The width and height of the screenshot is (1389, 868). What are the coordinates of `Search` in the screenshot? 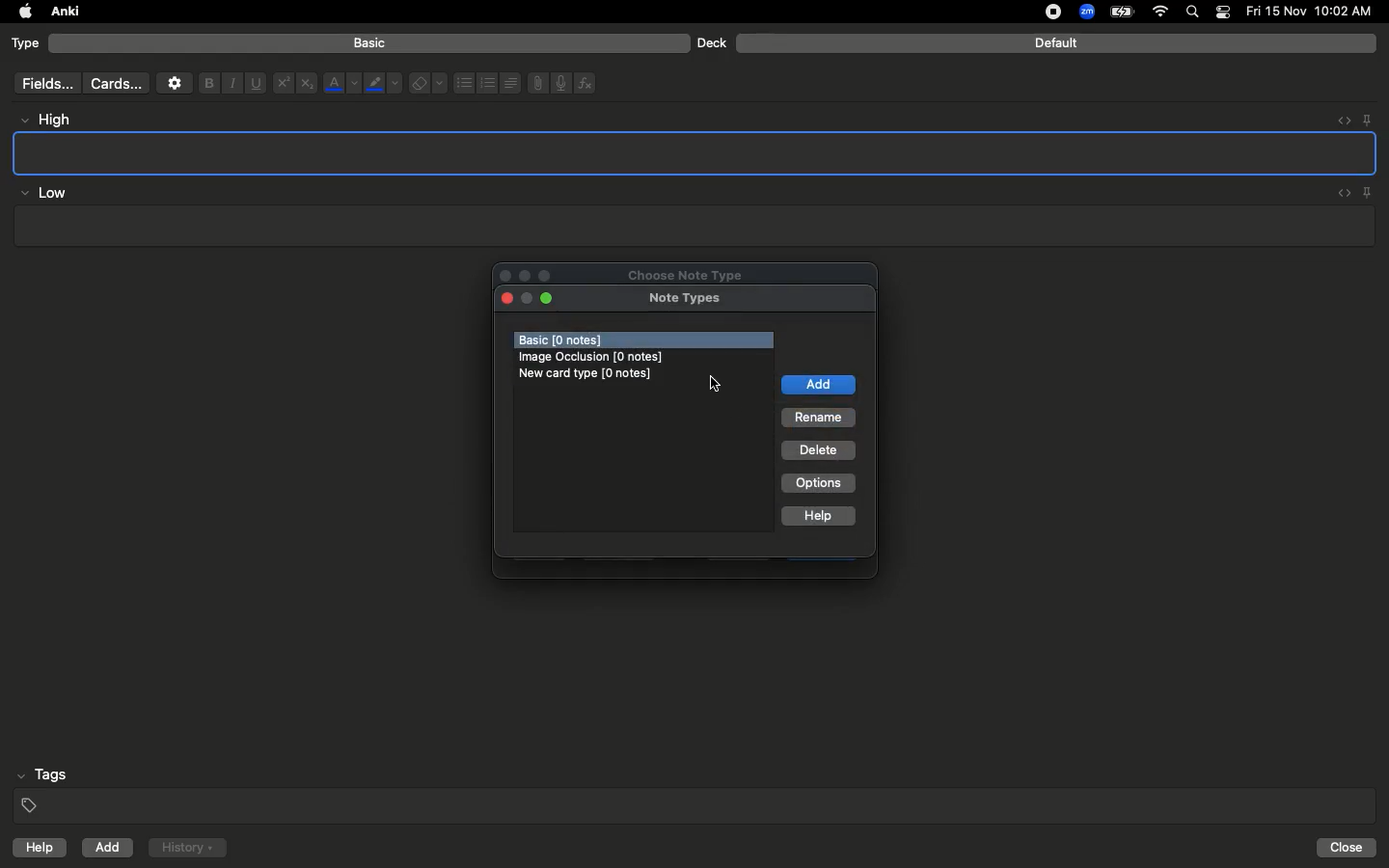 It's located at (1195, 13).